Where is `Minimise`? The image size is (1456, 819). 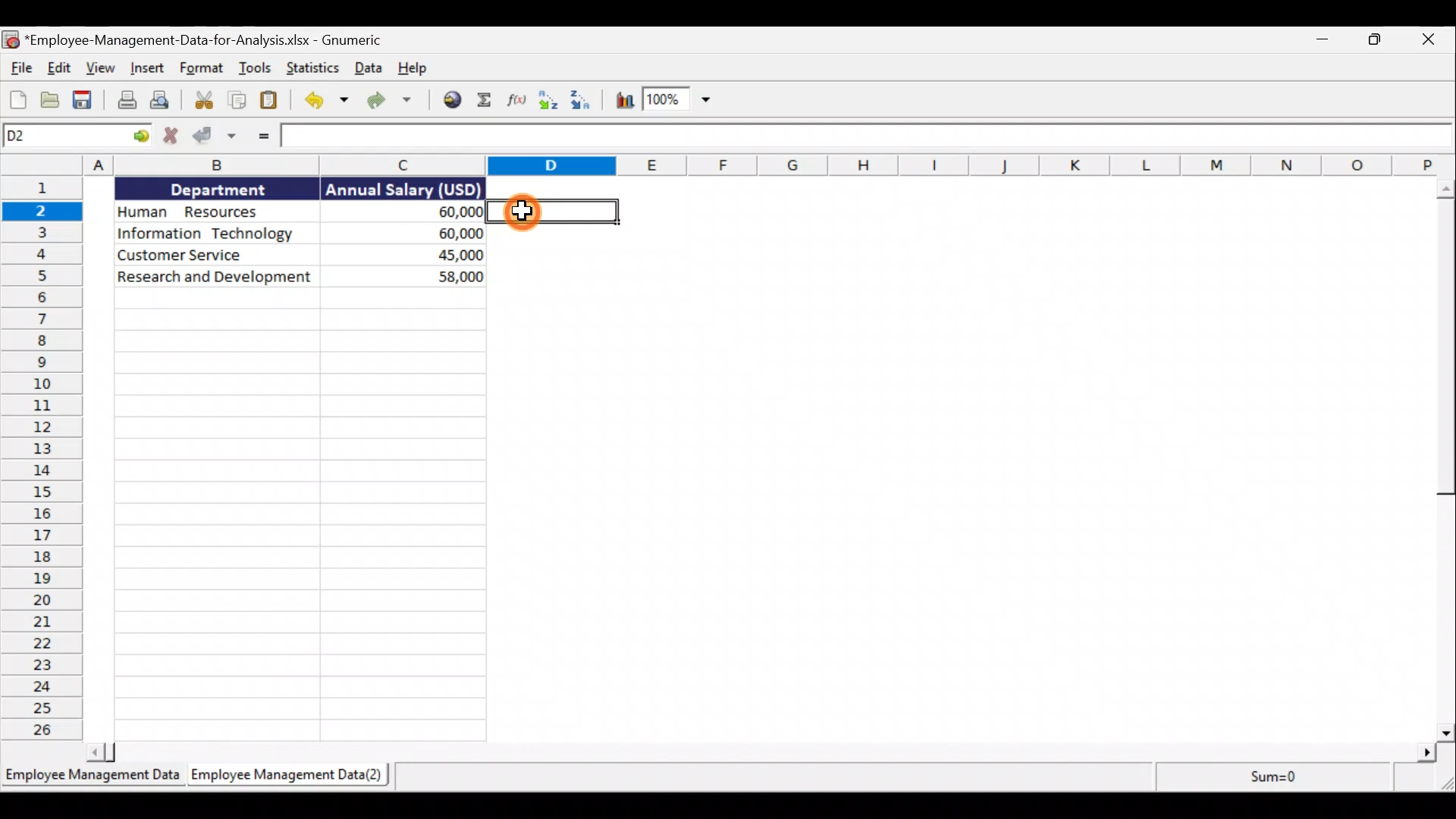 Minimise is located at coordinates (1320, 42).